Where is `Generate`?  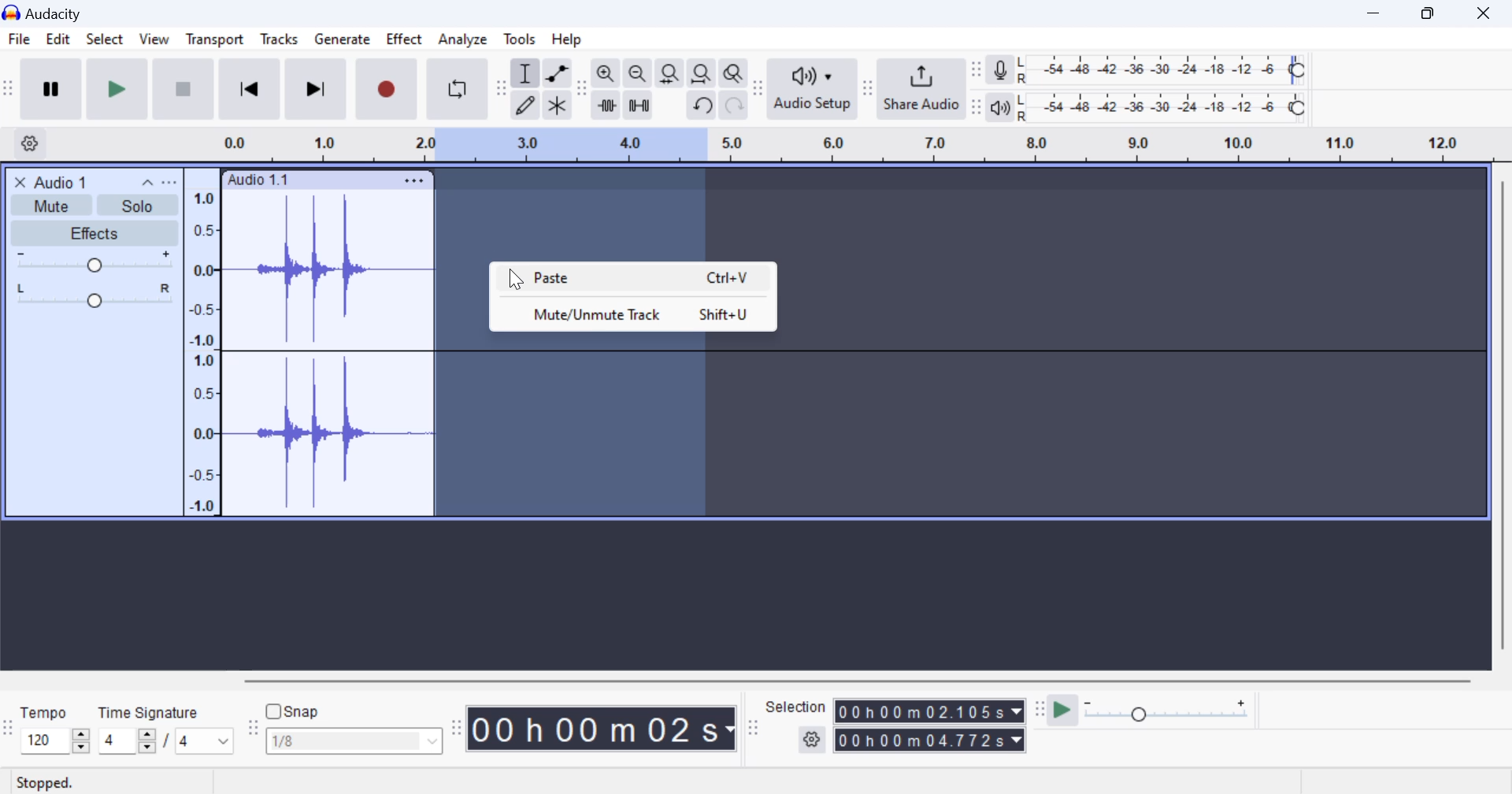
Generate is located at coordinates (342, 40).